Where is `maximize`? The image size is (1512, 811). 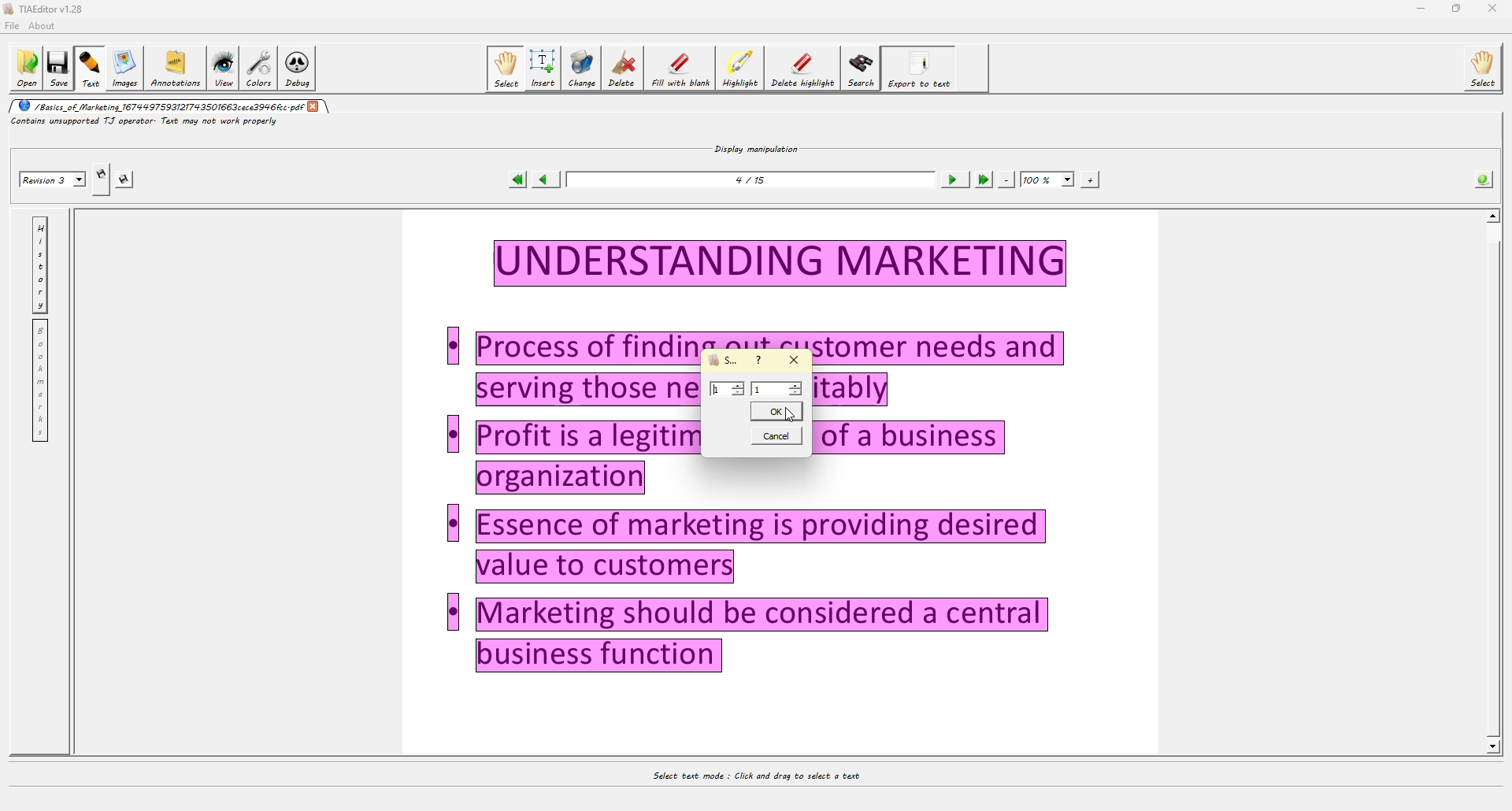
maximize is located at coordinates (1454, 9).